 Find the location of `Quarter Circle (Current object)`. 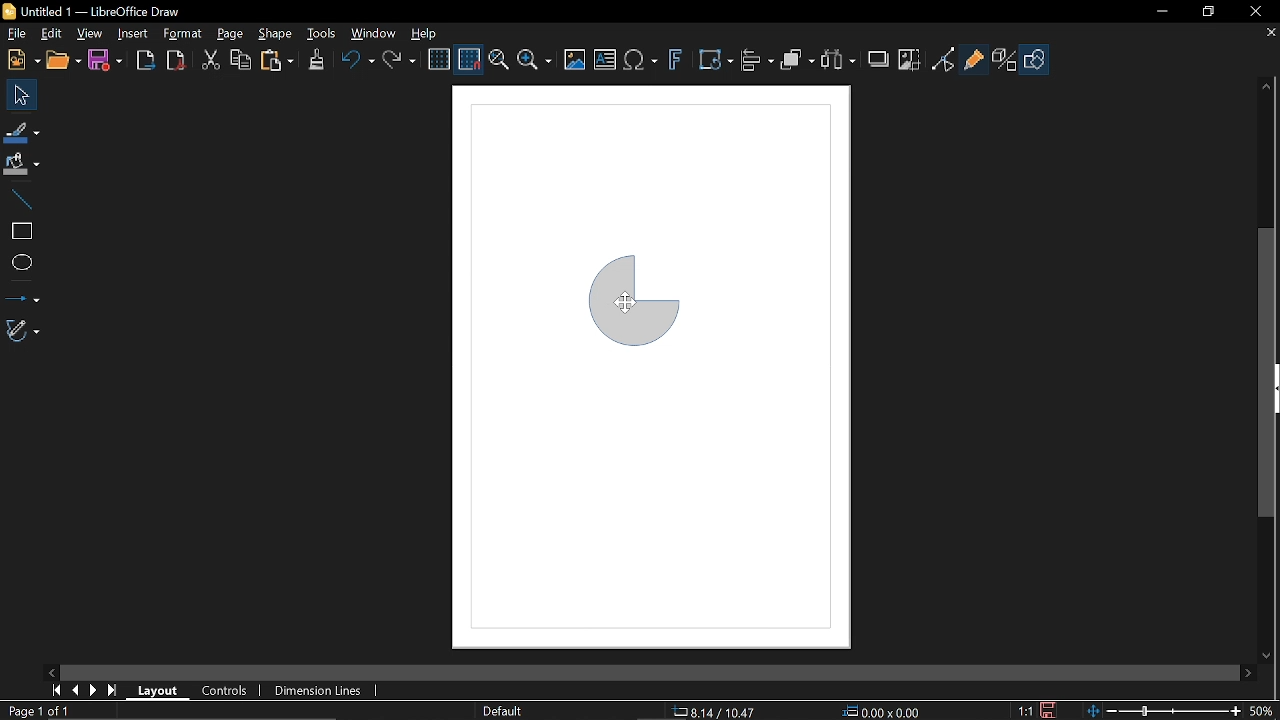

Quarter Circle (Current object) is located at coordinates (640, 303).